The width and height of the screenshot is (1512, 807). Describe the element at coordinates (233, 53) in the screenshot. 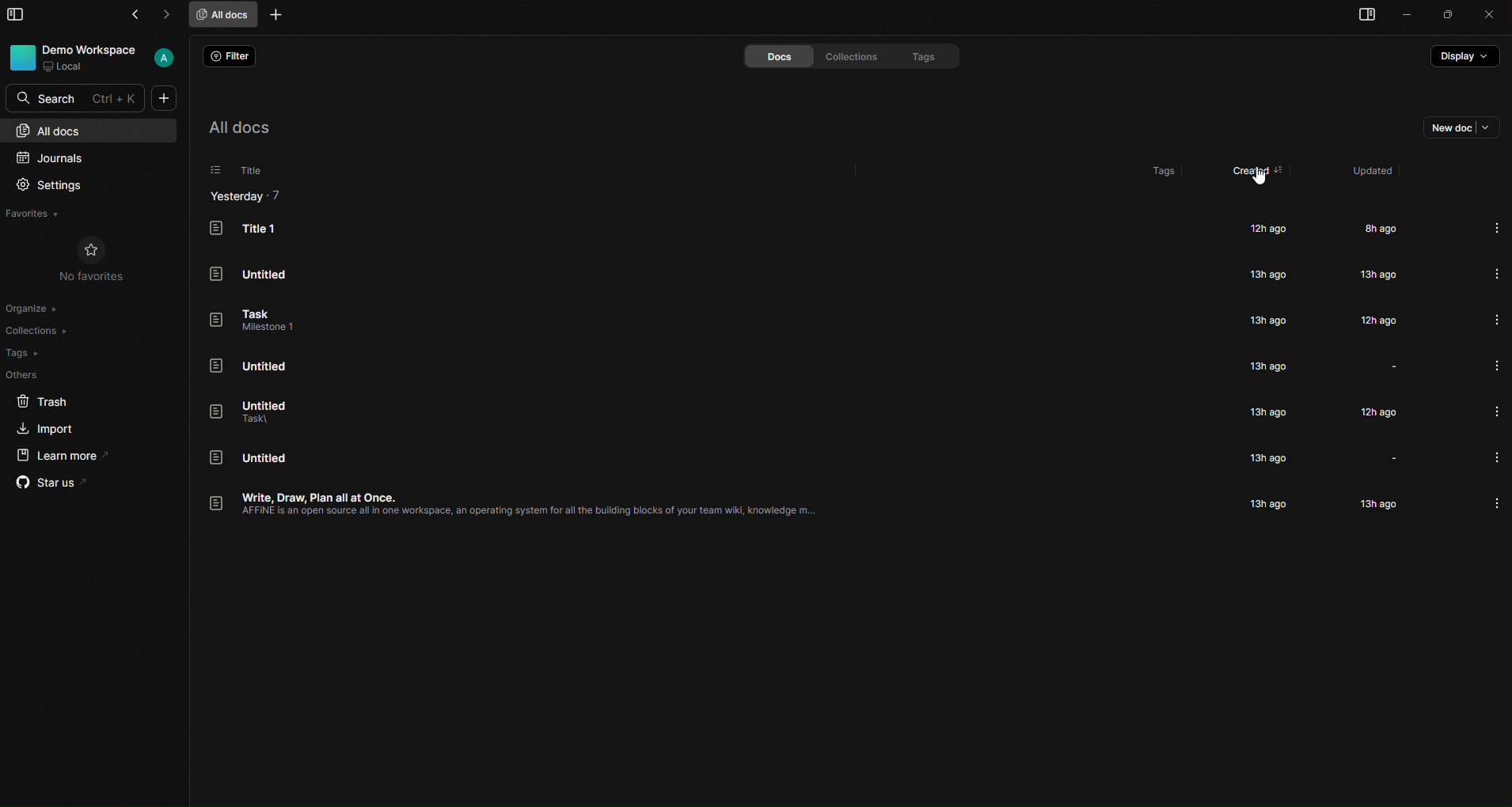

I see `filter` at that location.